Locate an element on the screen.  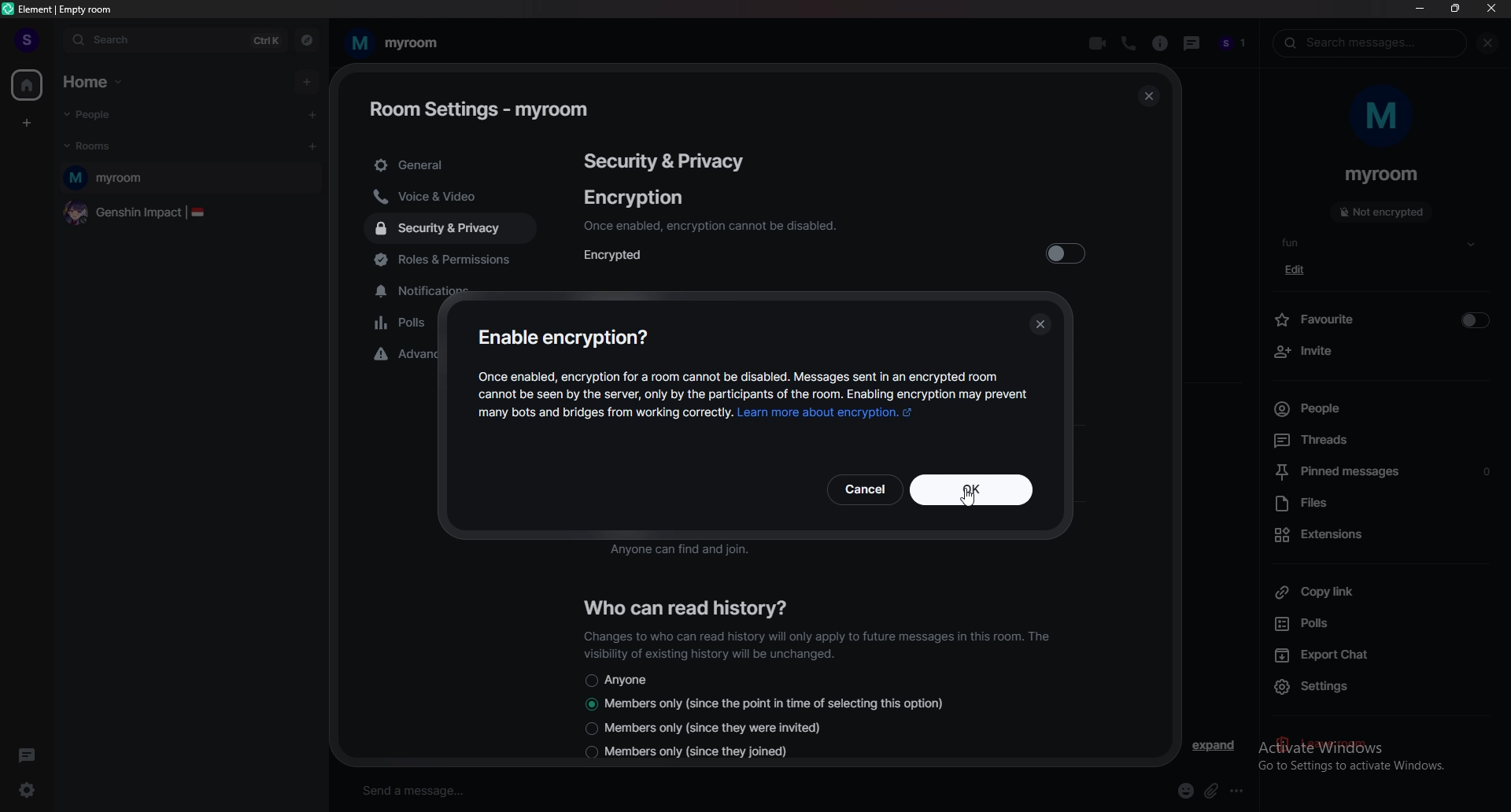
pinned messages is located at coordinates (1387, 471).